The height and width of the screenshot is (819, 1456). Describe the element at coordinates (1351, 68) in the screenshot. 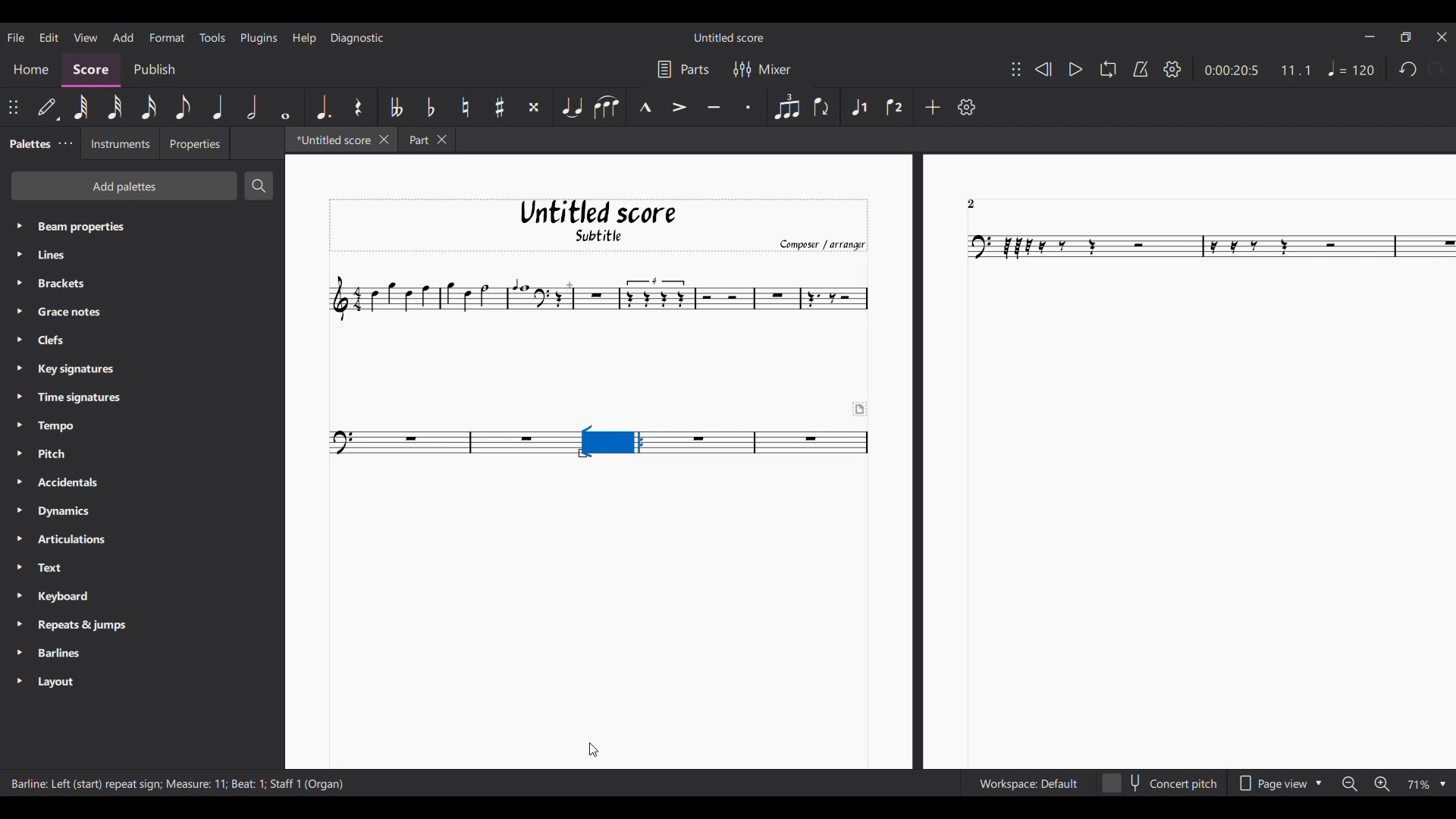

I see `Tempo` at that location.